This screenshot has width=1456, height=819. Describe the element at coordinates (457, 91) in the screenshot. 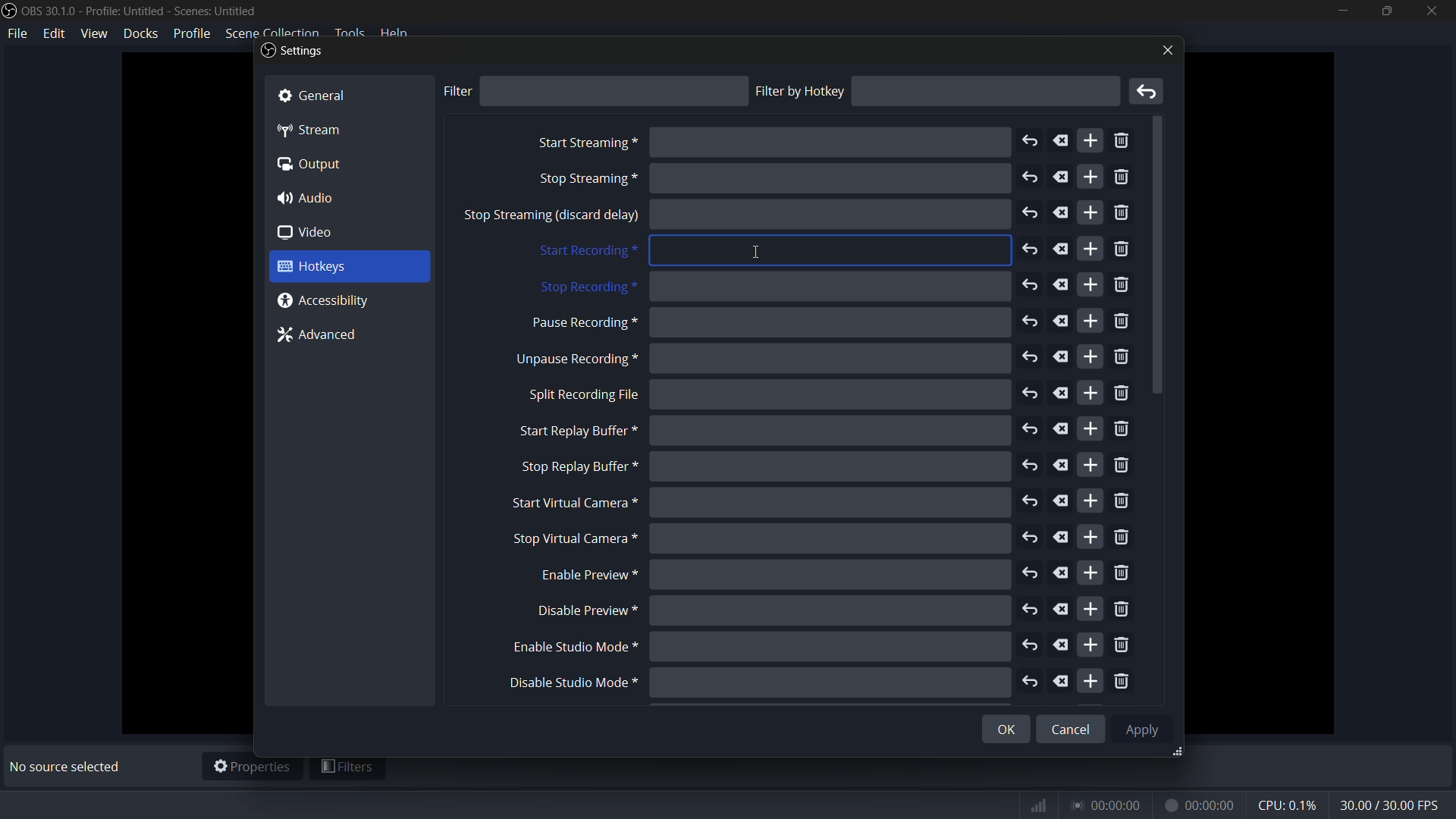

I see `filter` at that location.